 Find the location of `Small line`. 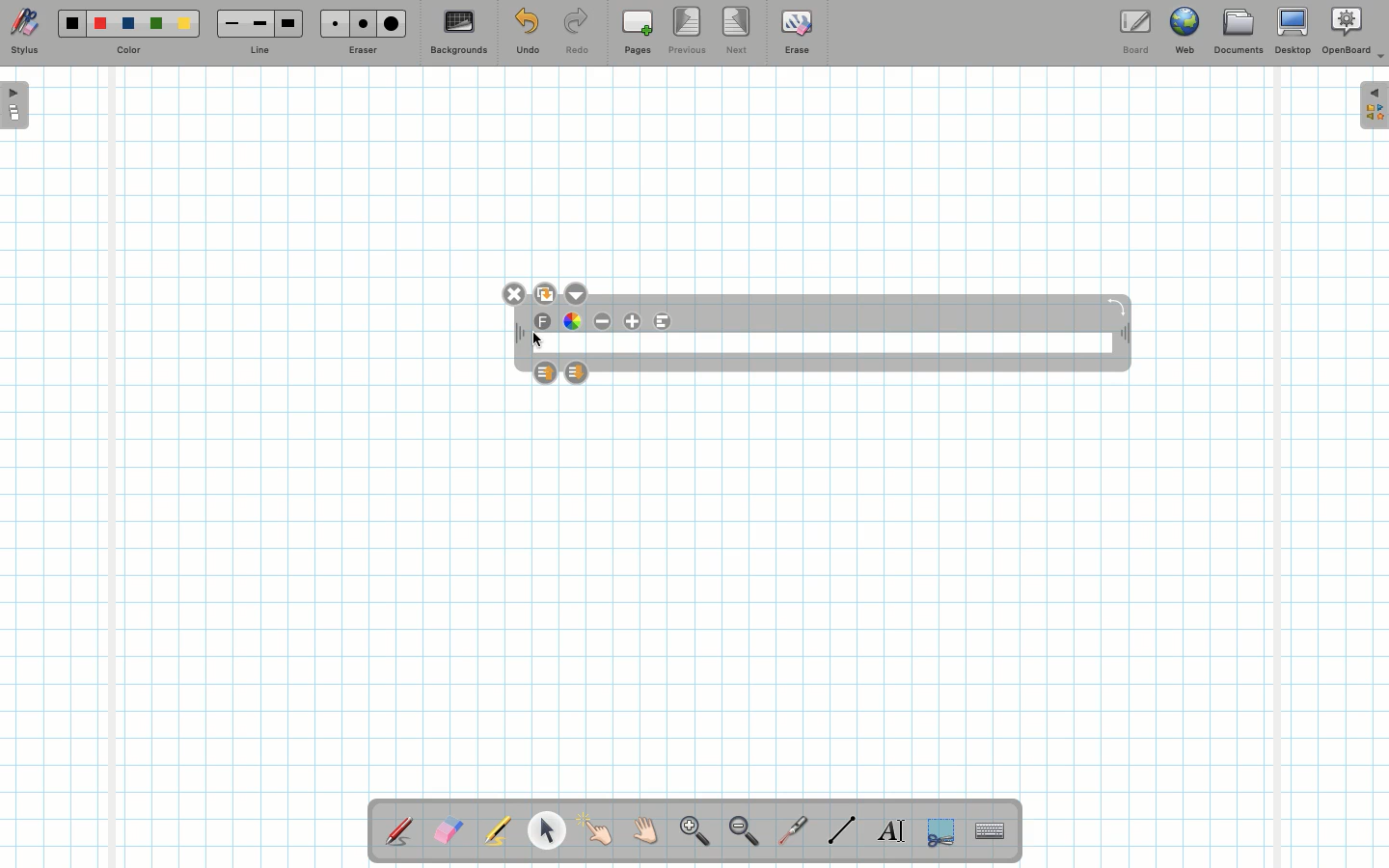

Small line is located at coordinates (229, 24).